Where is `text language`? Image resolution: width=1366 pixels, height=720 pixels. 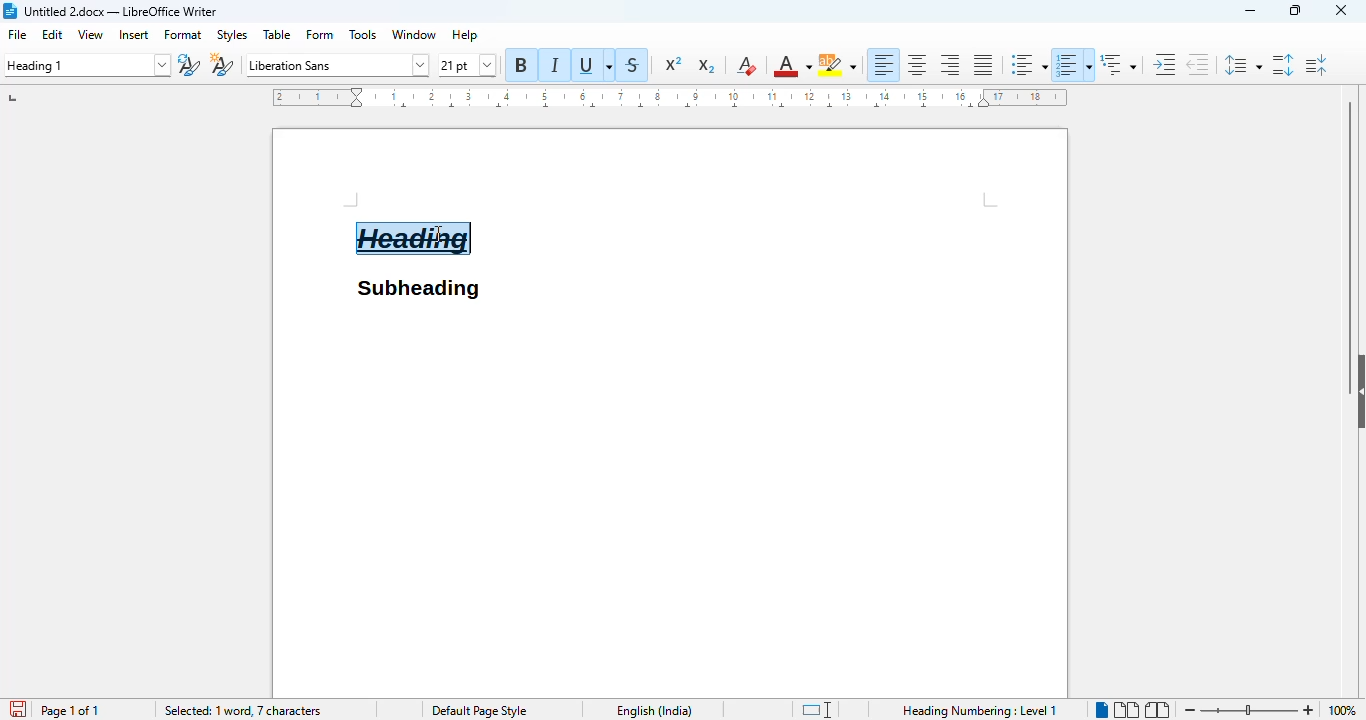 text language is located at coordinates (654, 711).